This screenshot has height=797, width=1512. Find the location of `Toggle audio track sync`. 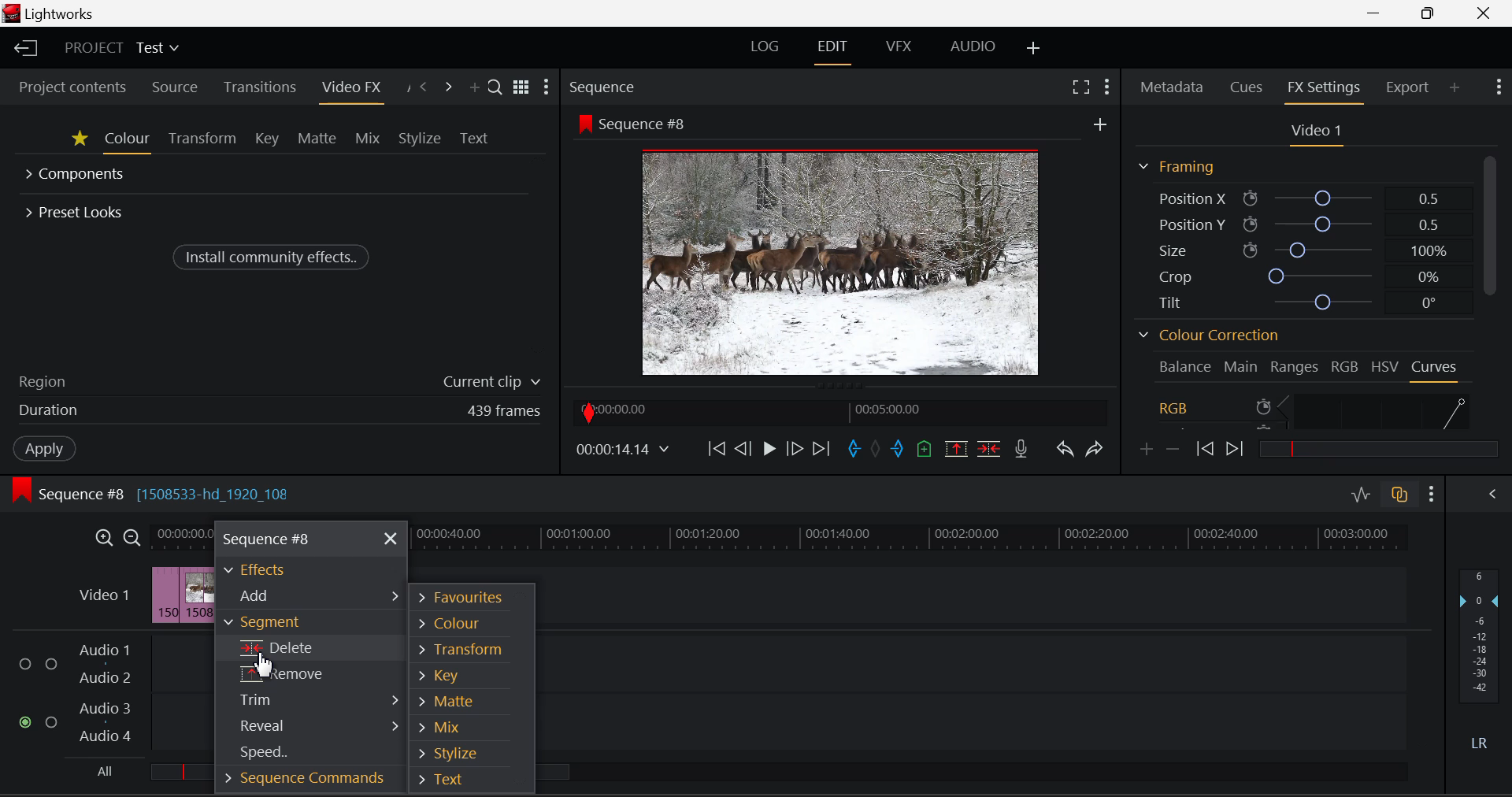

Toggle audio track sync is located at coordinates (1399, 498).